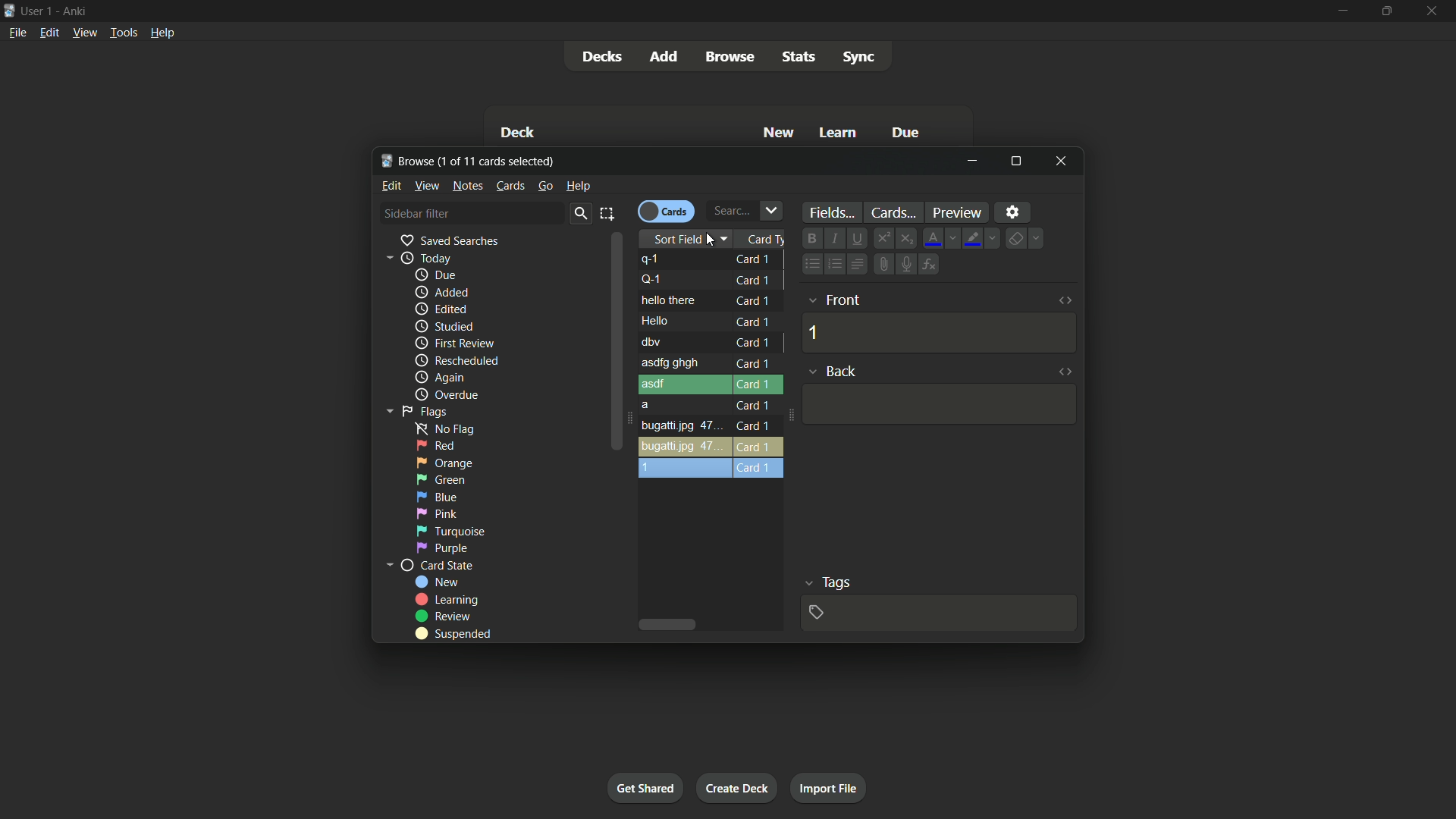 The height and width of the screenshot is (819, 1456). What do you see at coordinates (745, 210) in the screenshot?
I see `search` at bounding box center [745, 210].